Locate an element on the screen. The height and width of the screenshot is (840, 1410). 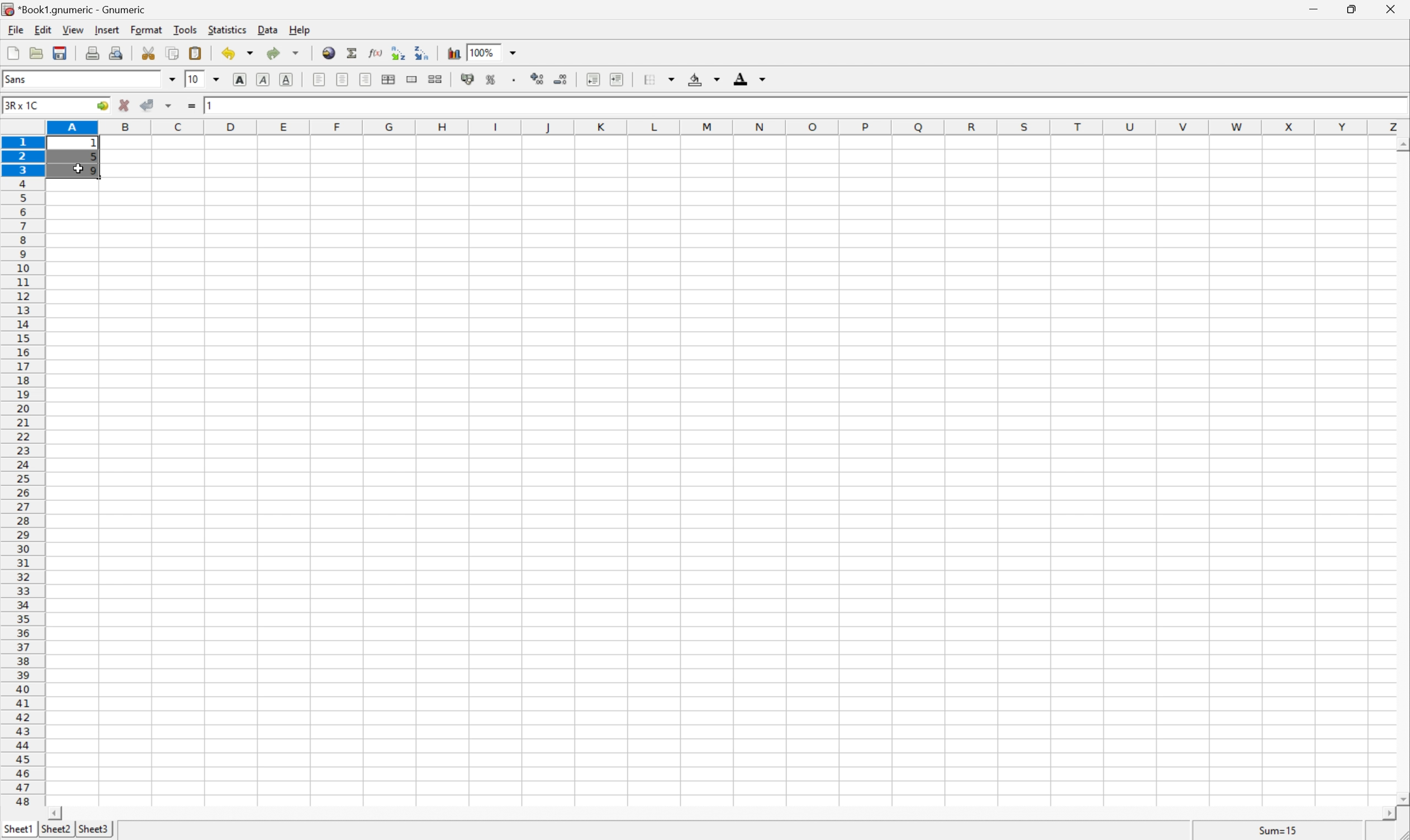
background is located at coordinates (704, 78).